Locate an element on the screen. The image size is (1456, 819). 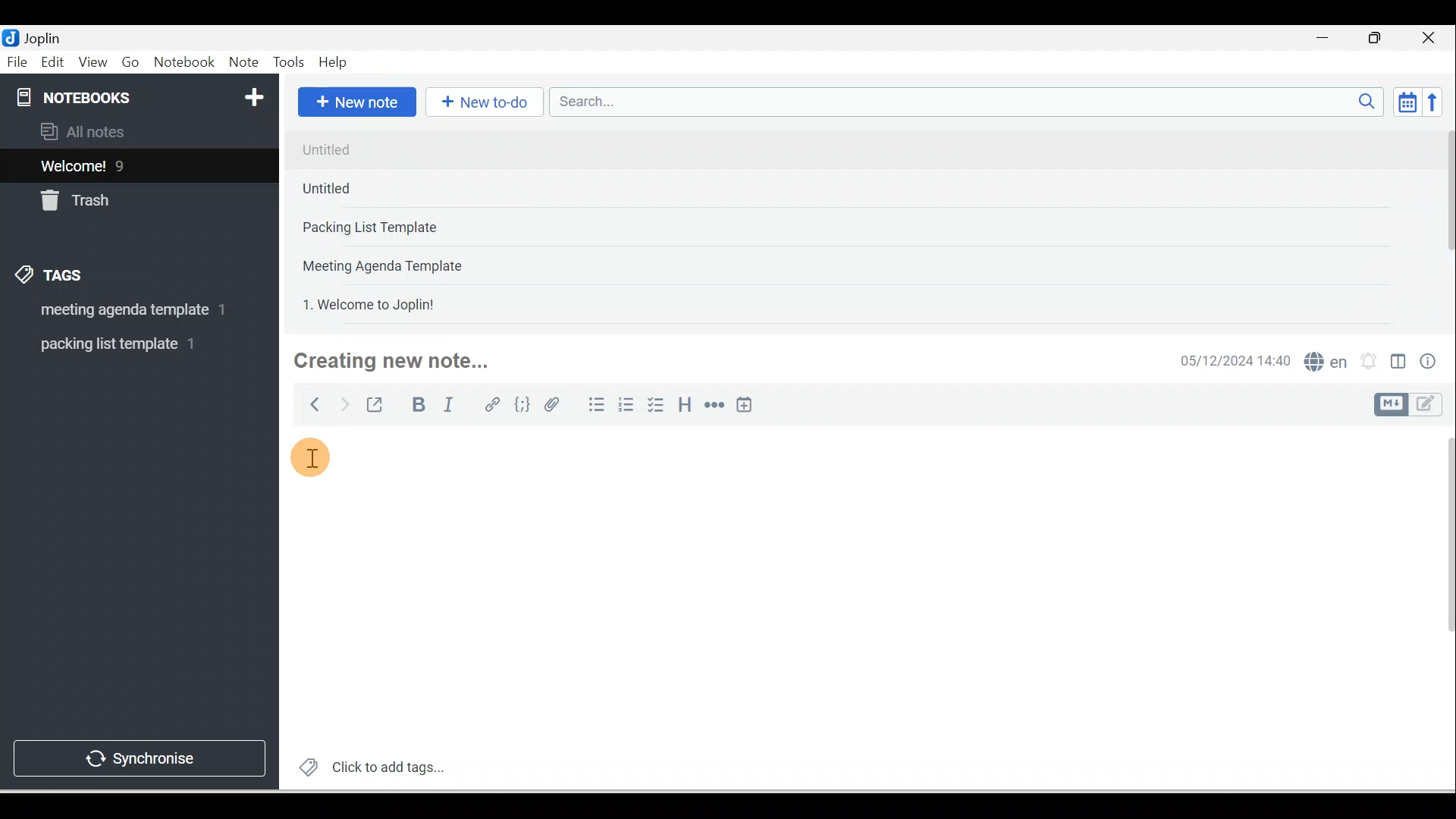
Help is located at coordinates (334, 63).